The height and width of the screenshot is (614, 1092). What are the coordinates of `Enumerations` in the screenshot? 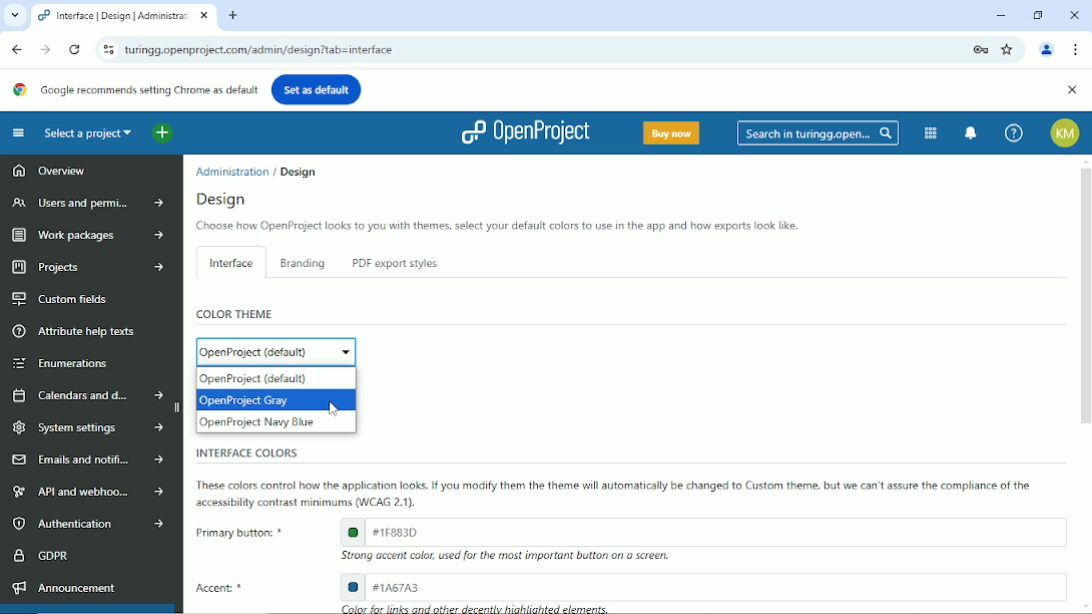 It's located at (63, 363).